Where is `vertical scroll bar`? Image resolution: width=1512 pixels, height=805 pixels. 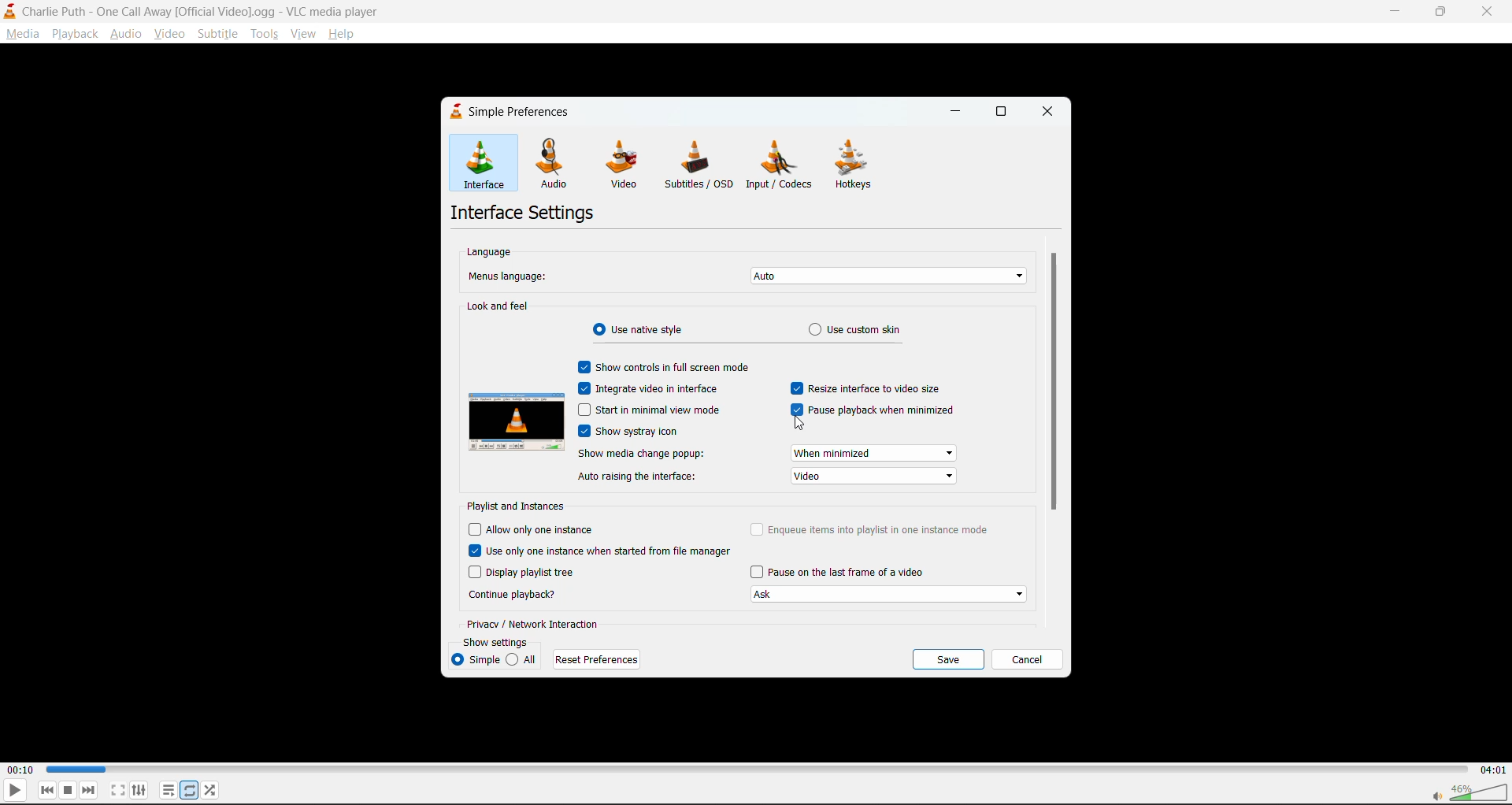
vertical scroll bar is located at coordinates (1056, 381).